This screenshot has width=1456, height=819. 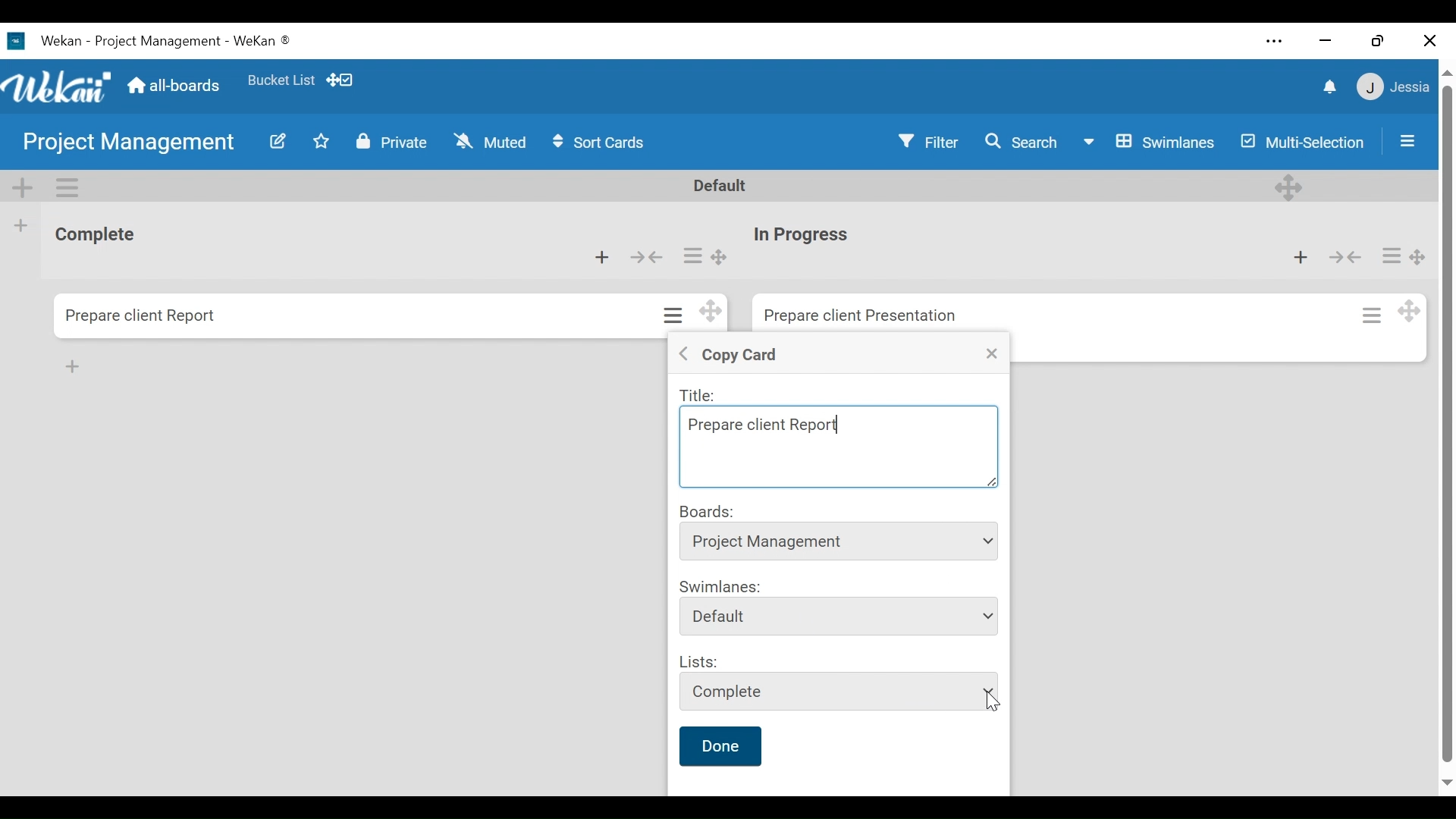 What do you see at coordinates (609, 258) in the screenshot?
I see `Add card to top of the list` at bounding box center [609, 258].